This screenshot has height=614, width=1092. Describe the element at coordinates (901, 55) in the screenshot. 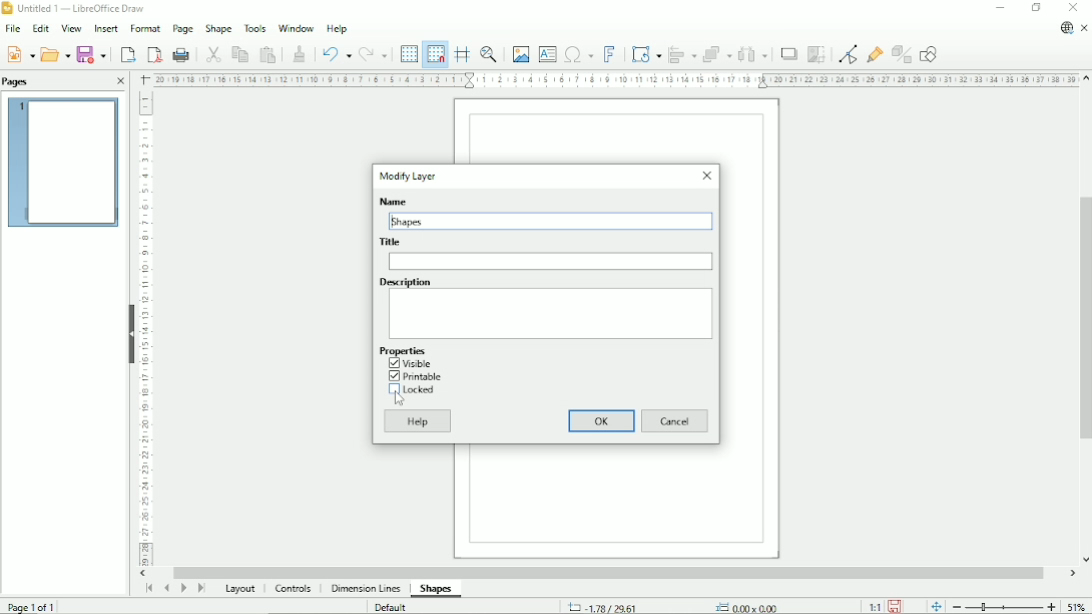

I see `Toggle extrusion` at that location.